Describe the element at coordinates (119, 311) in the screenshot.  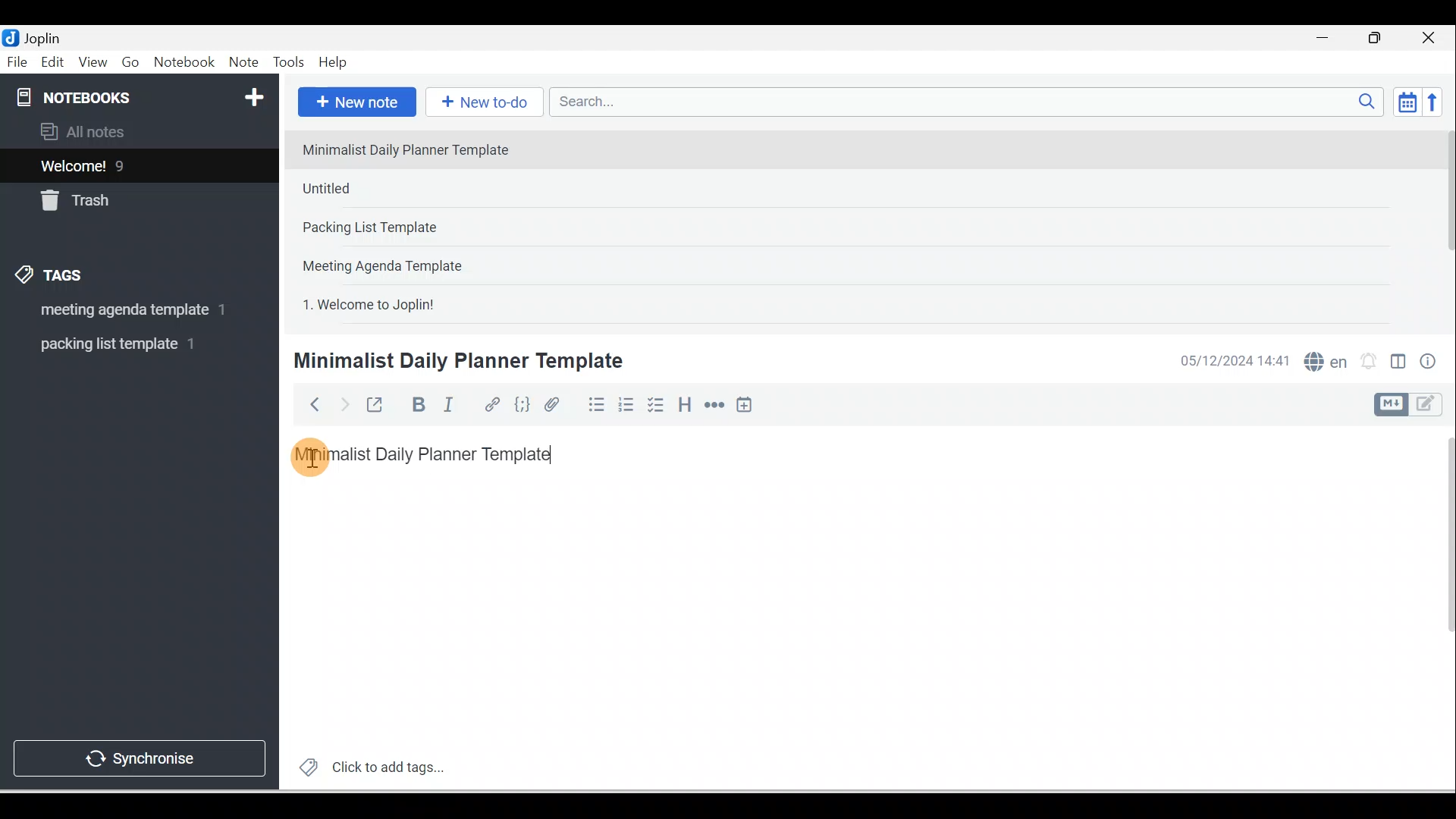
I see `Tag 1` at that location.